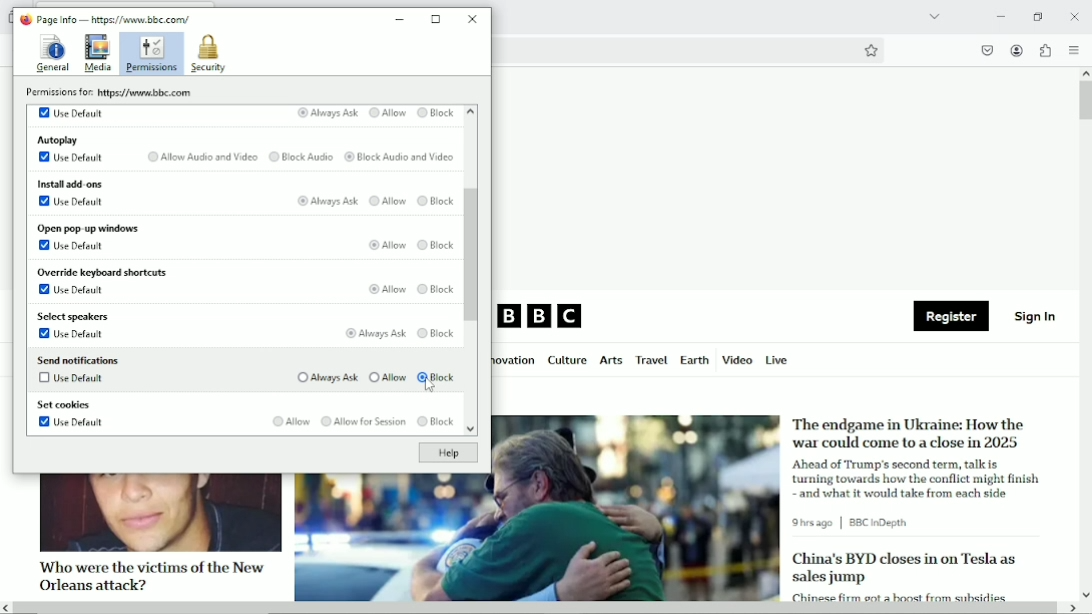 The image size is (1092, 614). I want to click on Chinese firm got a boost from subsides, so click(899, 595).